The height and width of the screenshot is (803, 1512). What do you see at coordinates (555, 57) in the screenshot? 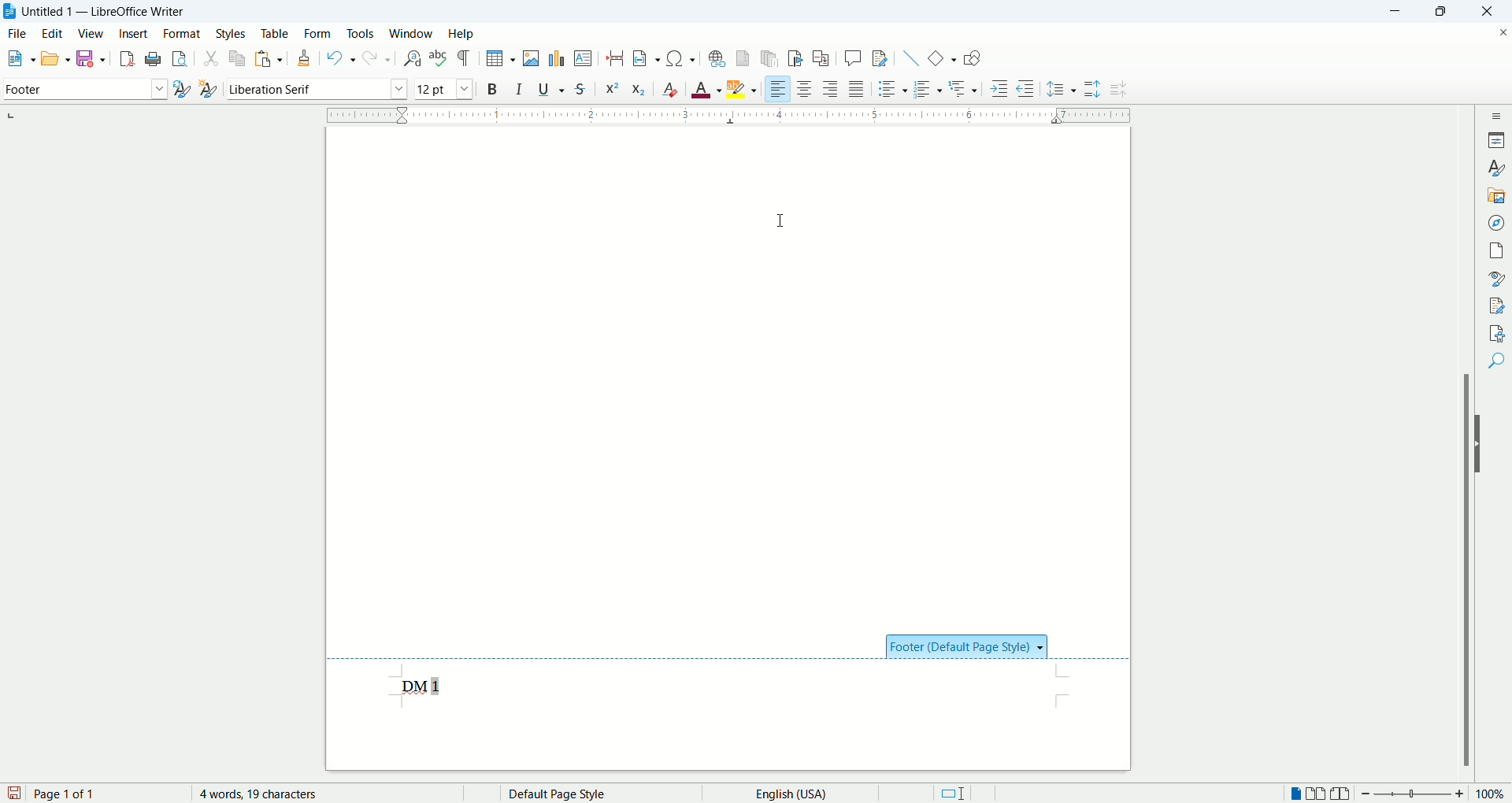
I see `insert chart` at bounding box center [555, 57].